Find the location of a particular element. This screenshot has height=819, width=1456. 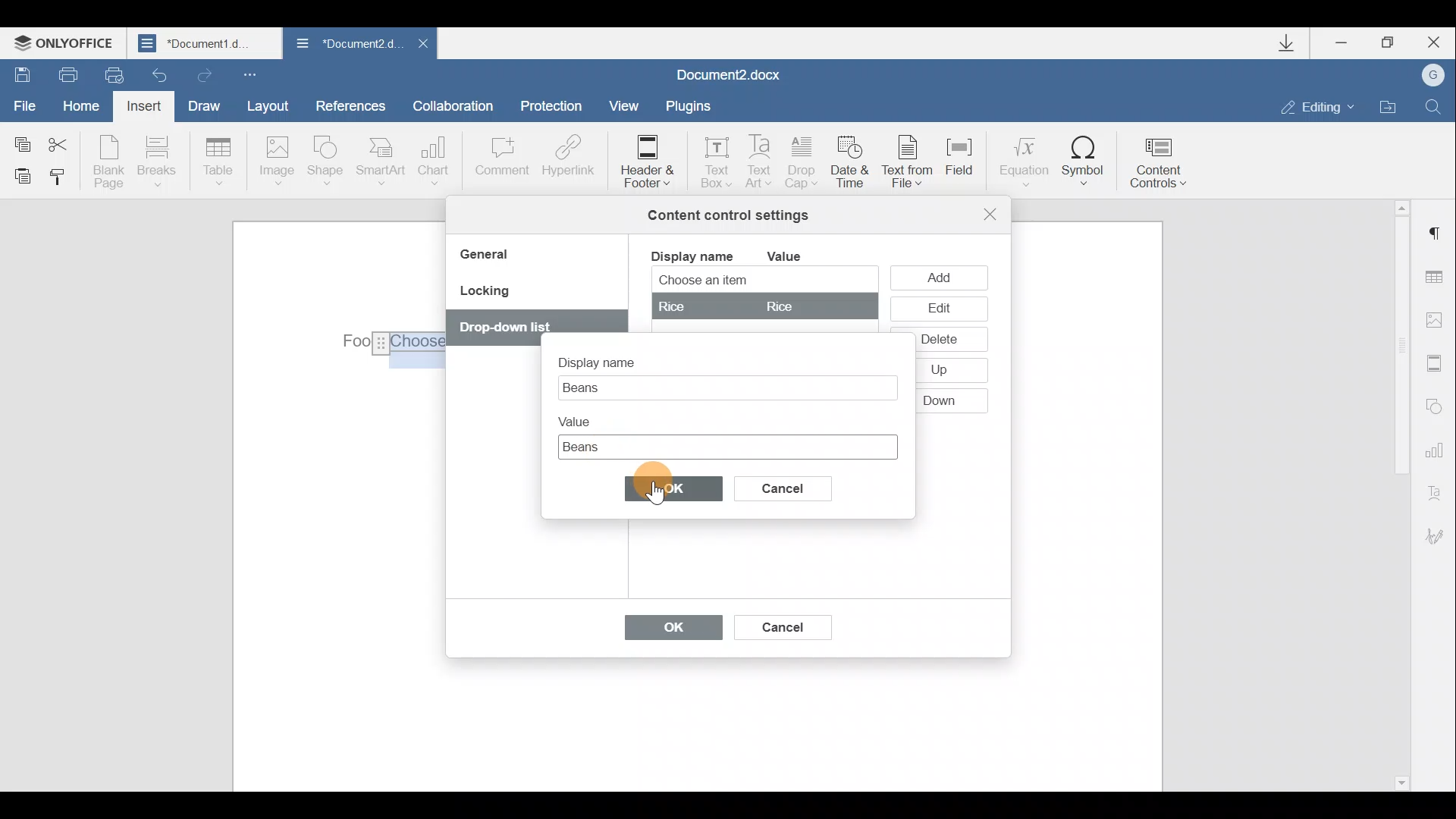

Home is located at coordinates (86, 108).